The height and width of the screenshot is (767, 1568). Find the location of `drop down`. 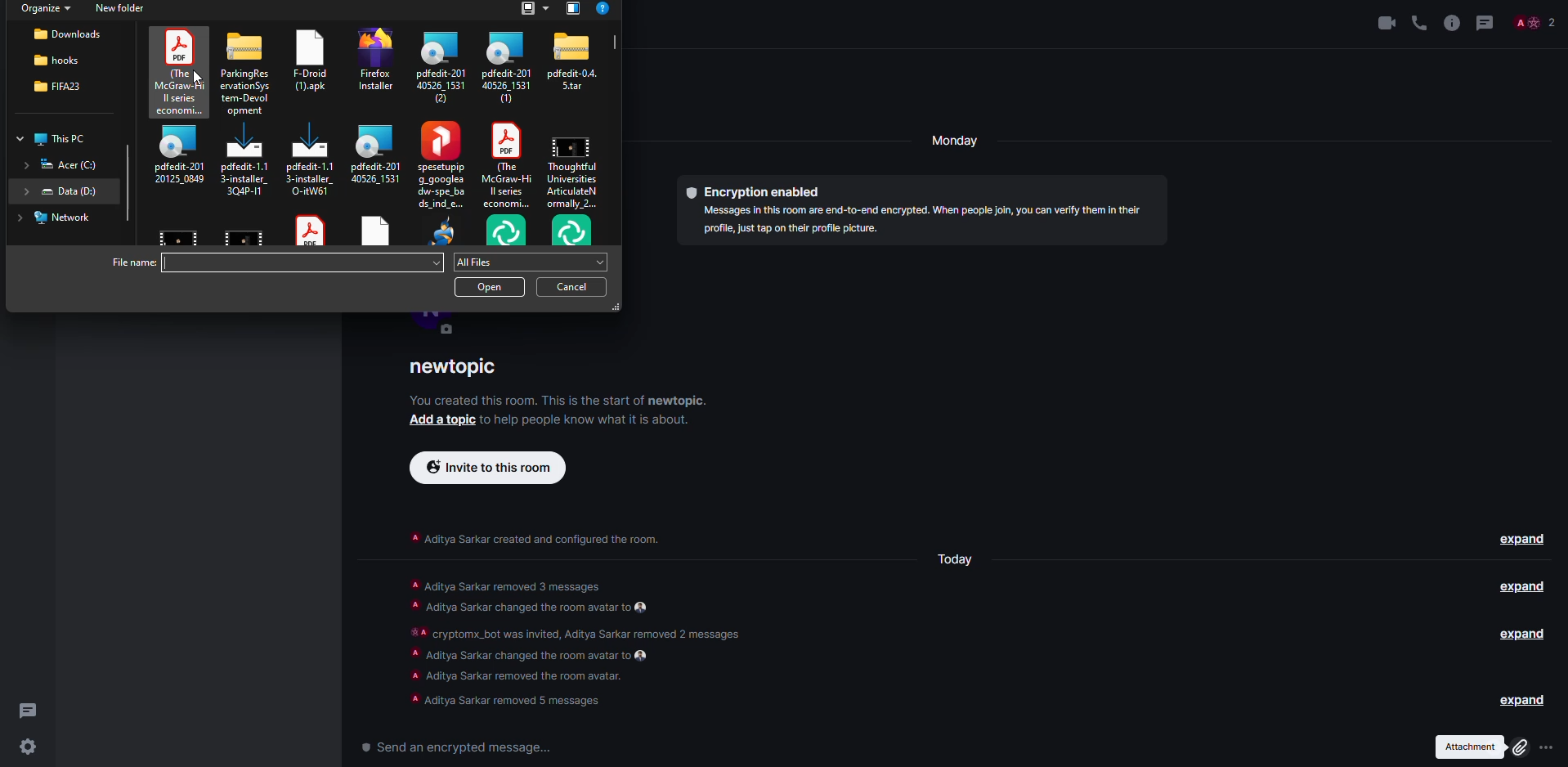

drop down is located at coordinates (603, 261).